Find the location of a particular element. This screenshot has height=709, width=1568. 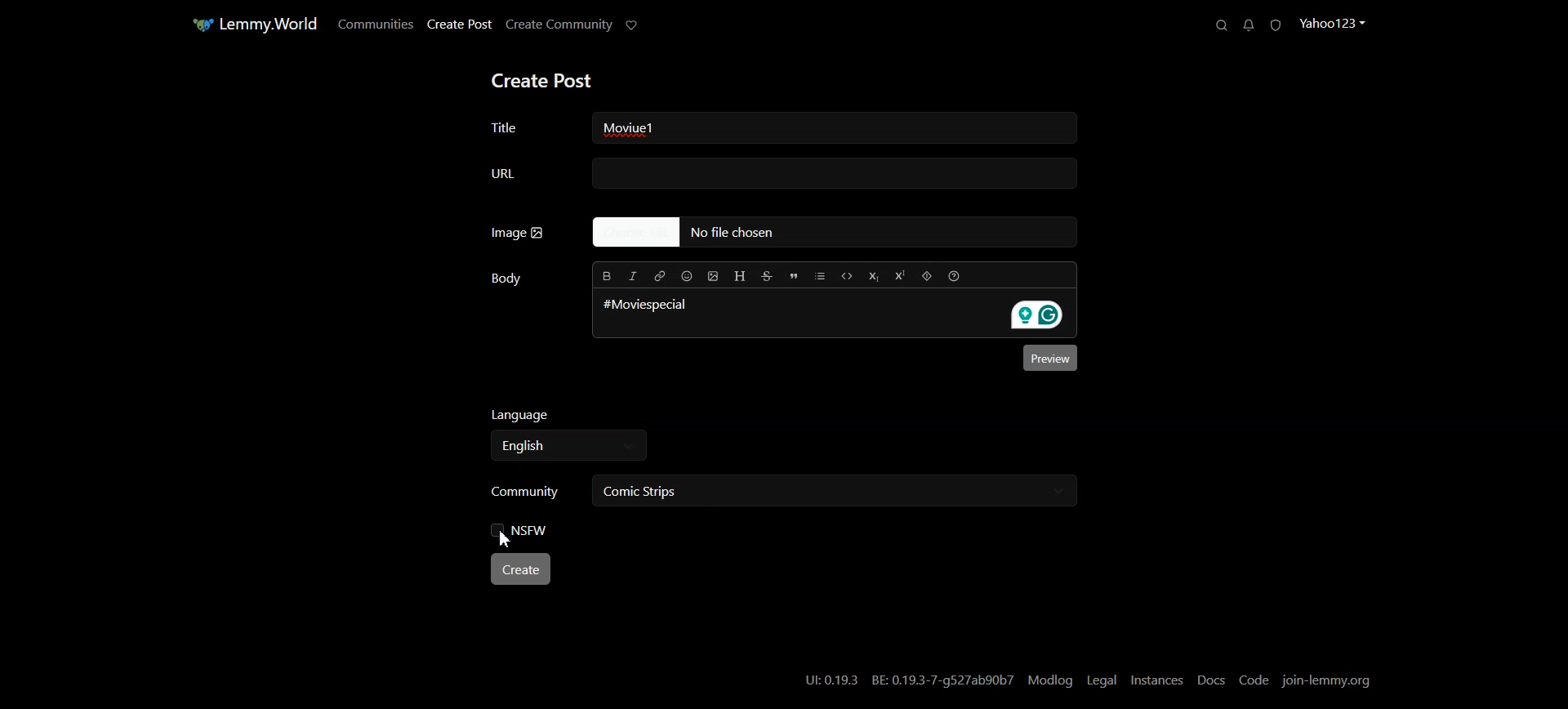

Communities is located at coordinates (375, 25).